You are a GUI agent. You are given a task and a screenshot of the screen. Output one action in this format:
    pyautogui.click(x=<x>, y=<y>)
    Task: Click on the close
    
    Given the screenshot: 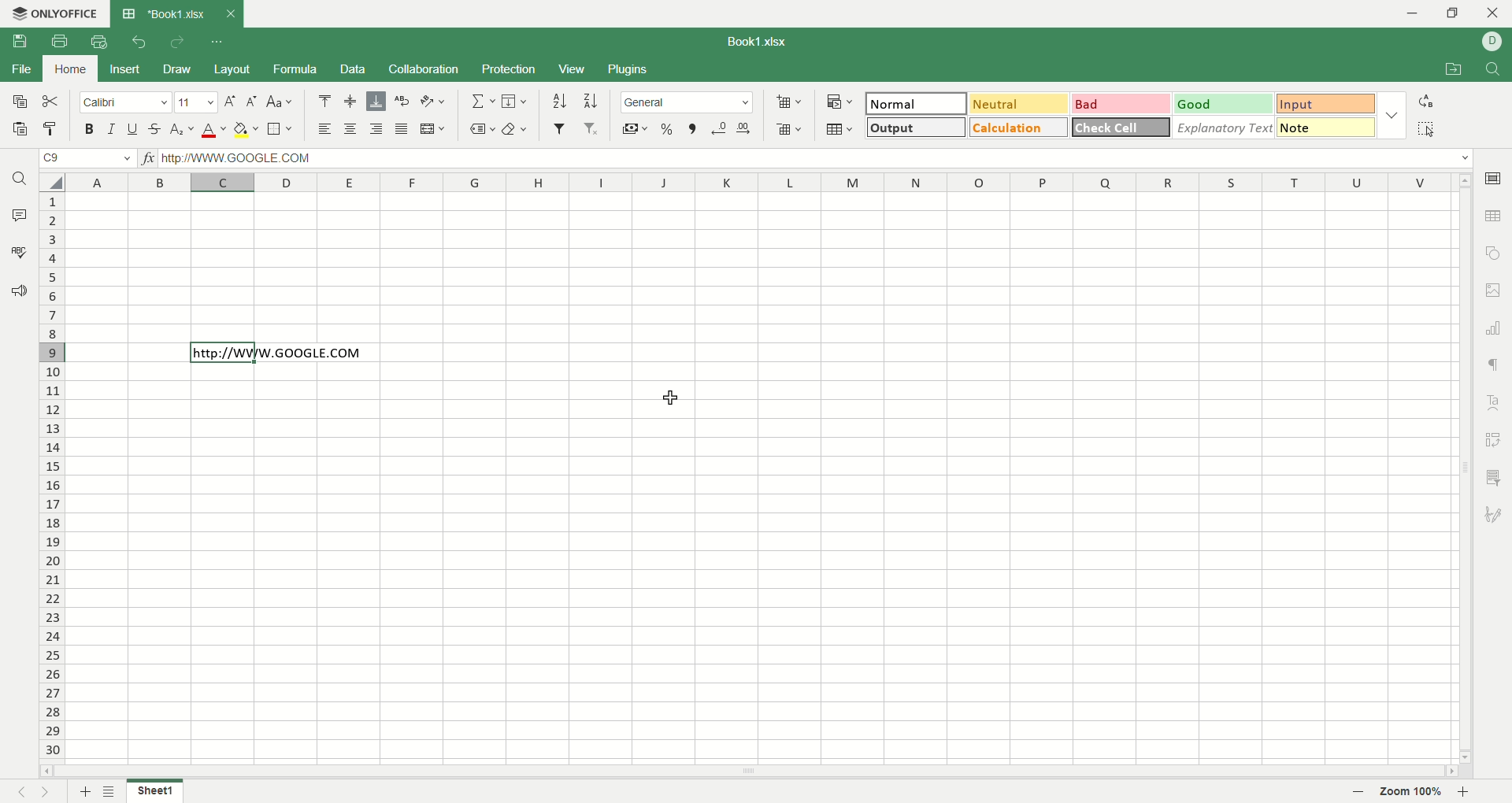 What is the action you would take?
    pyautogui.click(x=1493, y=13)
    